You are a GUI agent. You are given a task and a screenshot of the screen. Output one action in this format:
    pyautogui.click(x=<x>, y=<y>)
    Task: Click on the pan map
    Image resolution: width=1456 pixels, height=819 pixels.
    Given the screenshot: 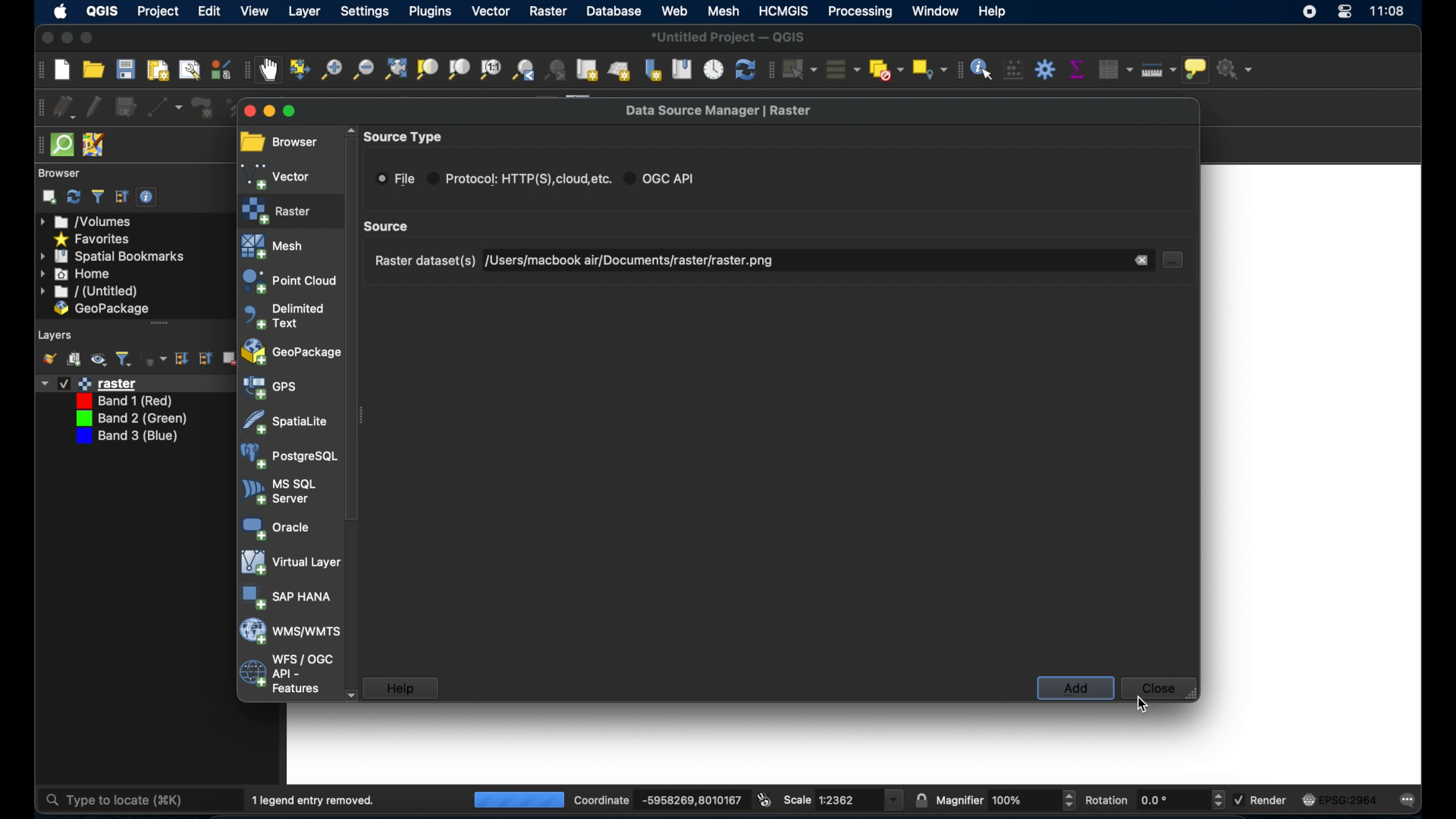 What is the action you would take?
    pyautogui.click(x=271, y=71)
    